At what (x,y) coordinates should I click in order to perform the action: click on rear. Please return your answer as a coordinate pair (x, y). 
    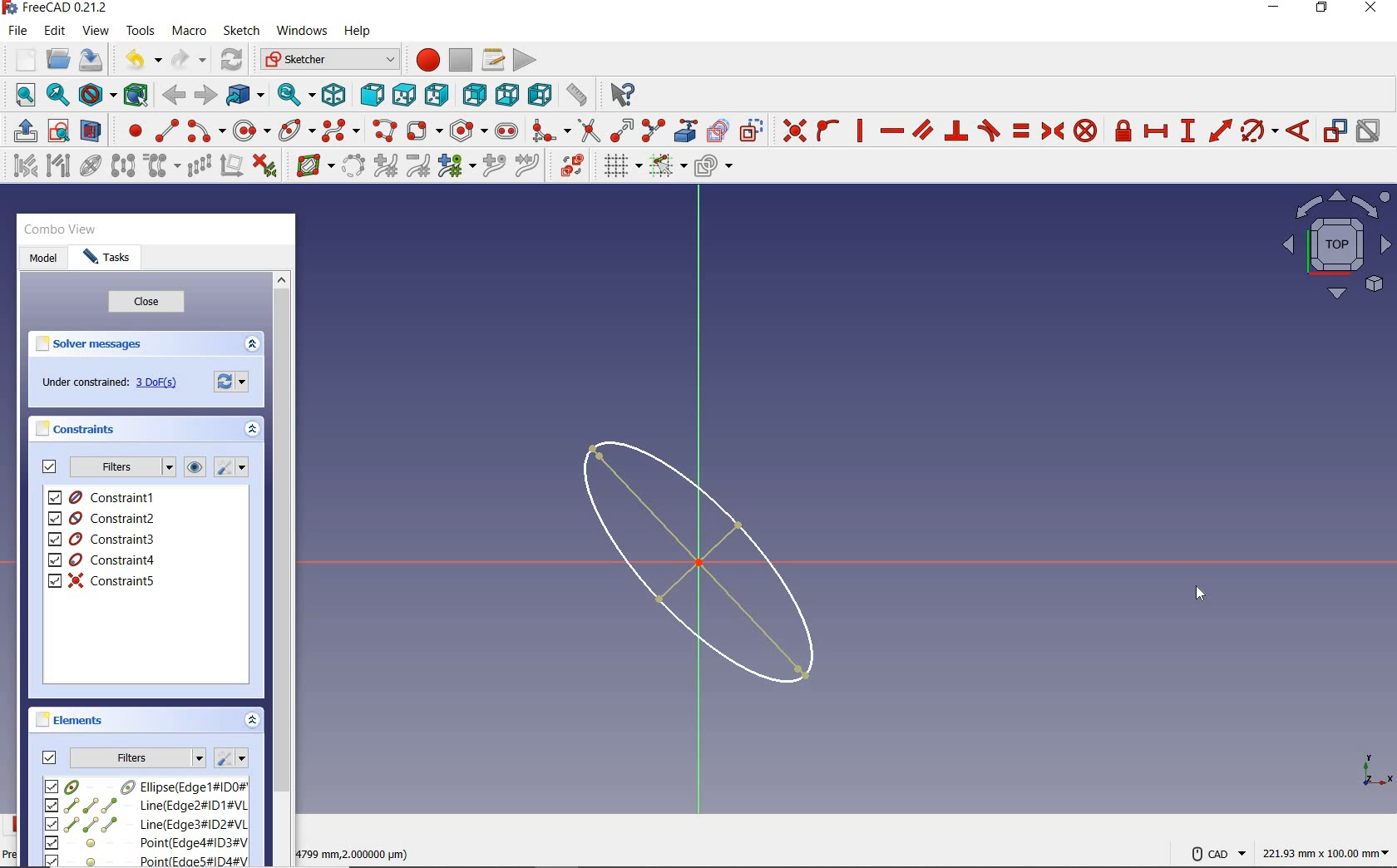
    Looking at the image, I should click on (474, 94).